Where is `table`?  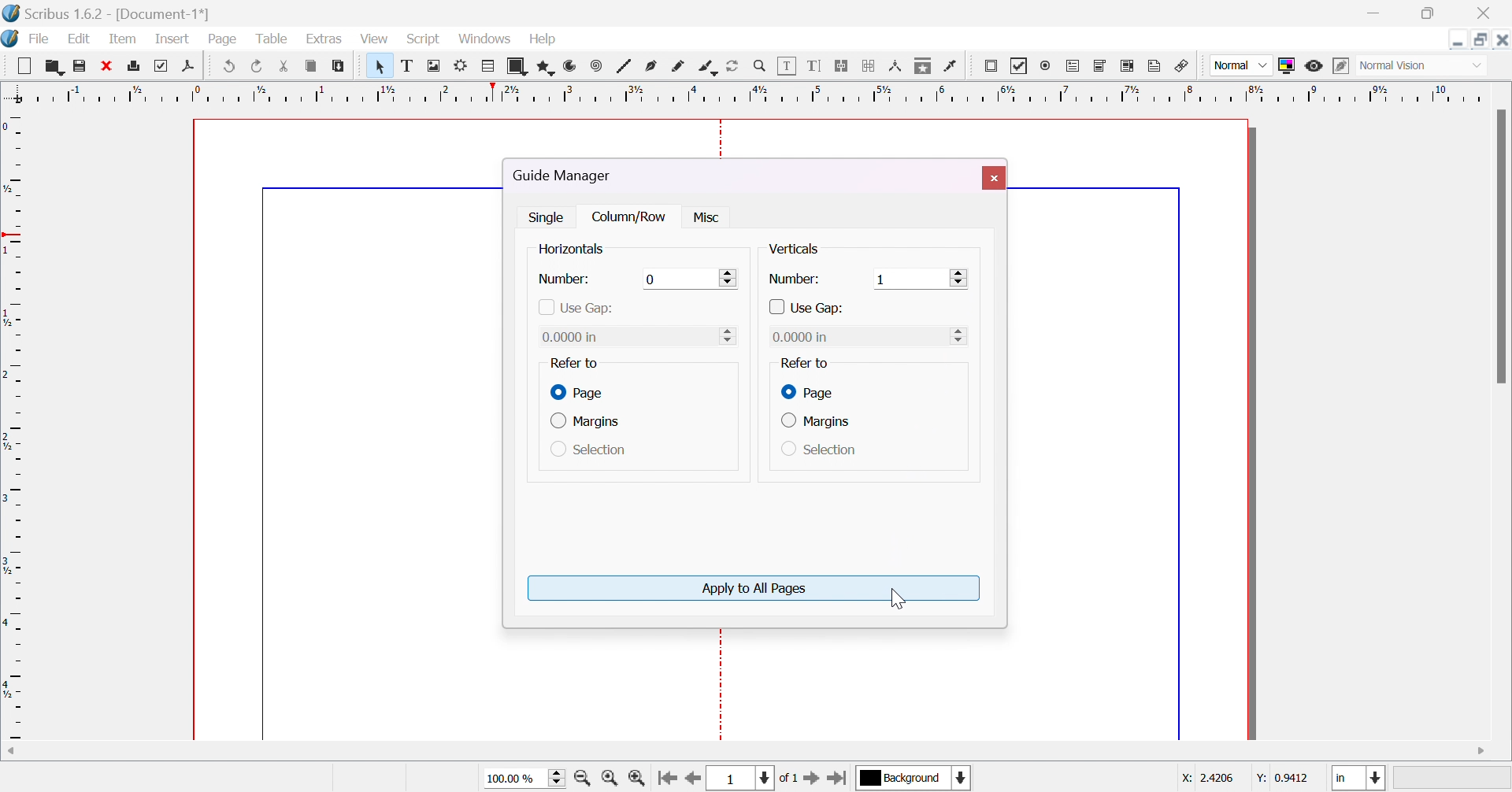 table is located at coordinates (490, 68).